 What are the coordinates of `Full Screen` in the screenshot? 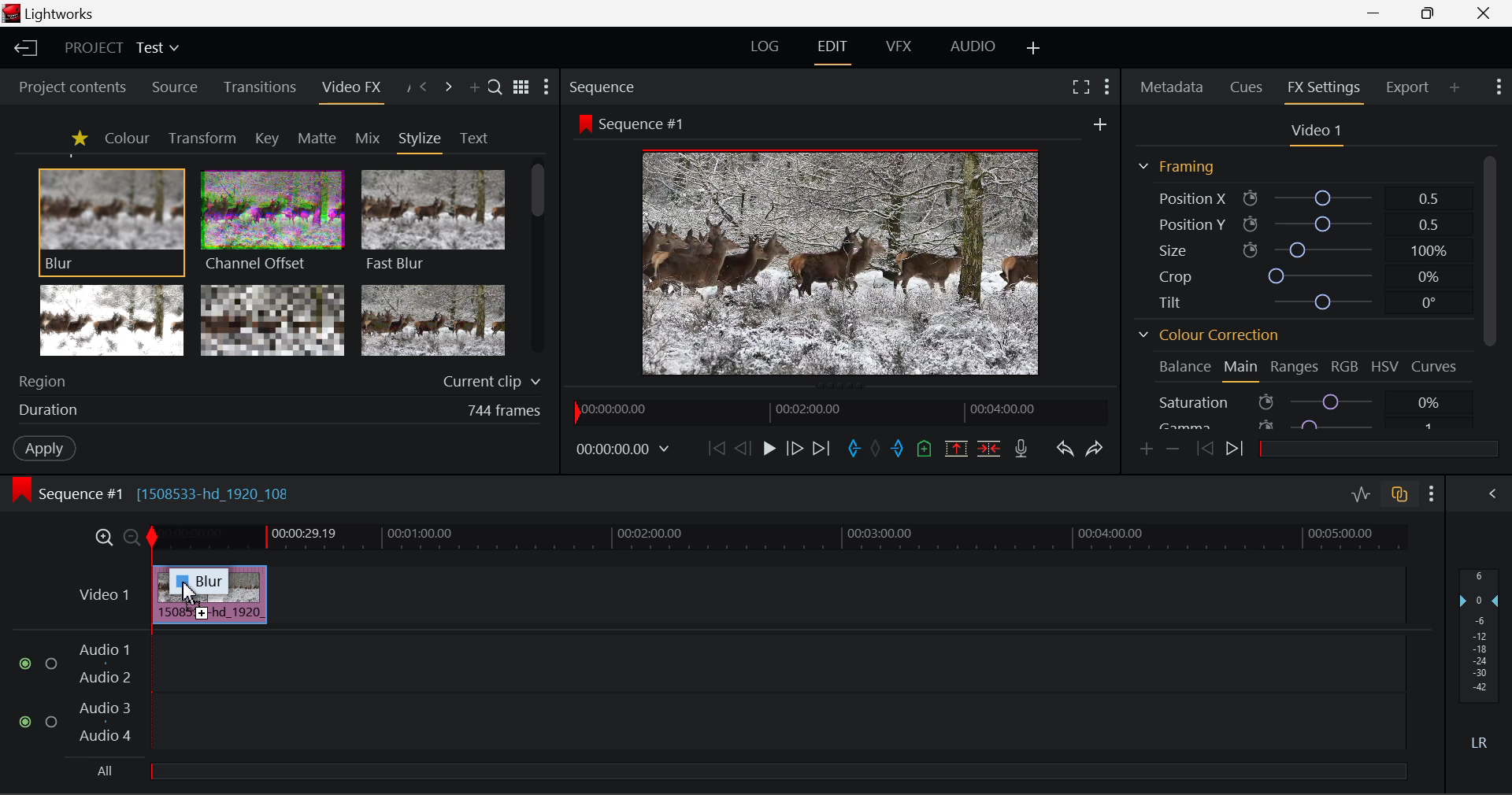 It's located at (1080, 87).